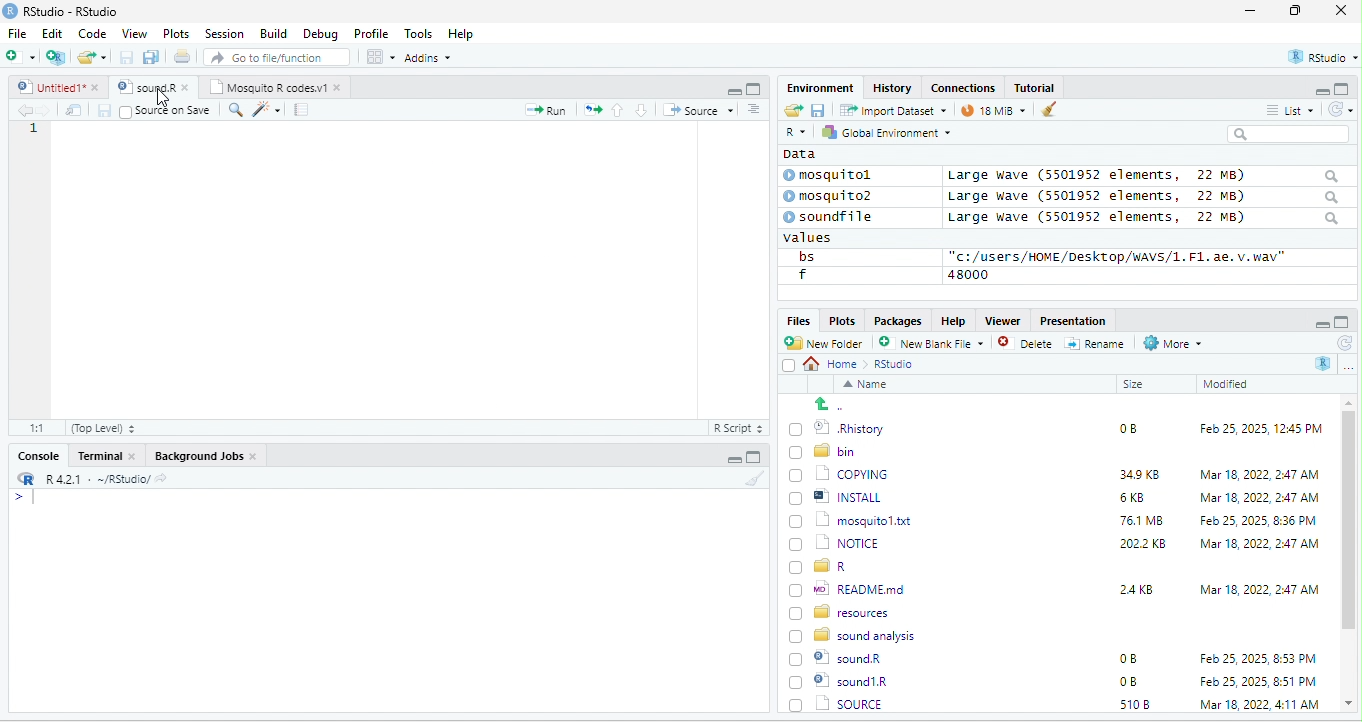 The height and width of the screenshot is (722, 1362). What do you see at coordinates (895, 364) in the screenshot?
I see `Rstudio` at bounding box center [895, 364].